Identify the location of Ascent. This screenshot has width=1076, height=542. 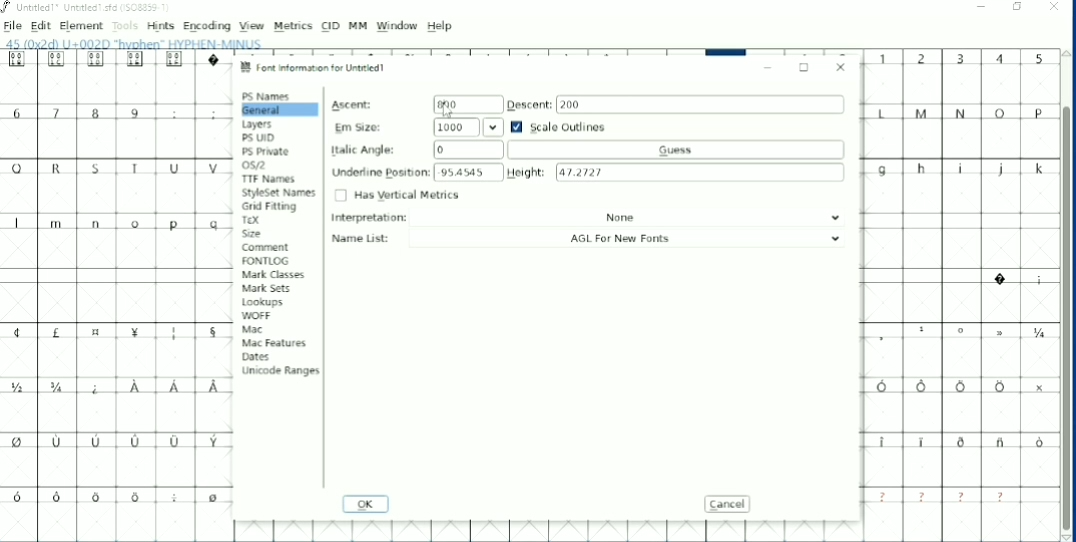
(416, 105).